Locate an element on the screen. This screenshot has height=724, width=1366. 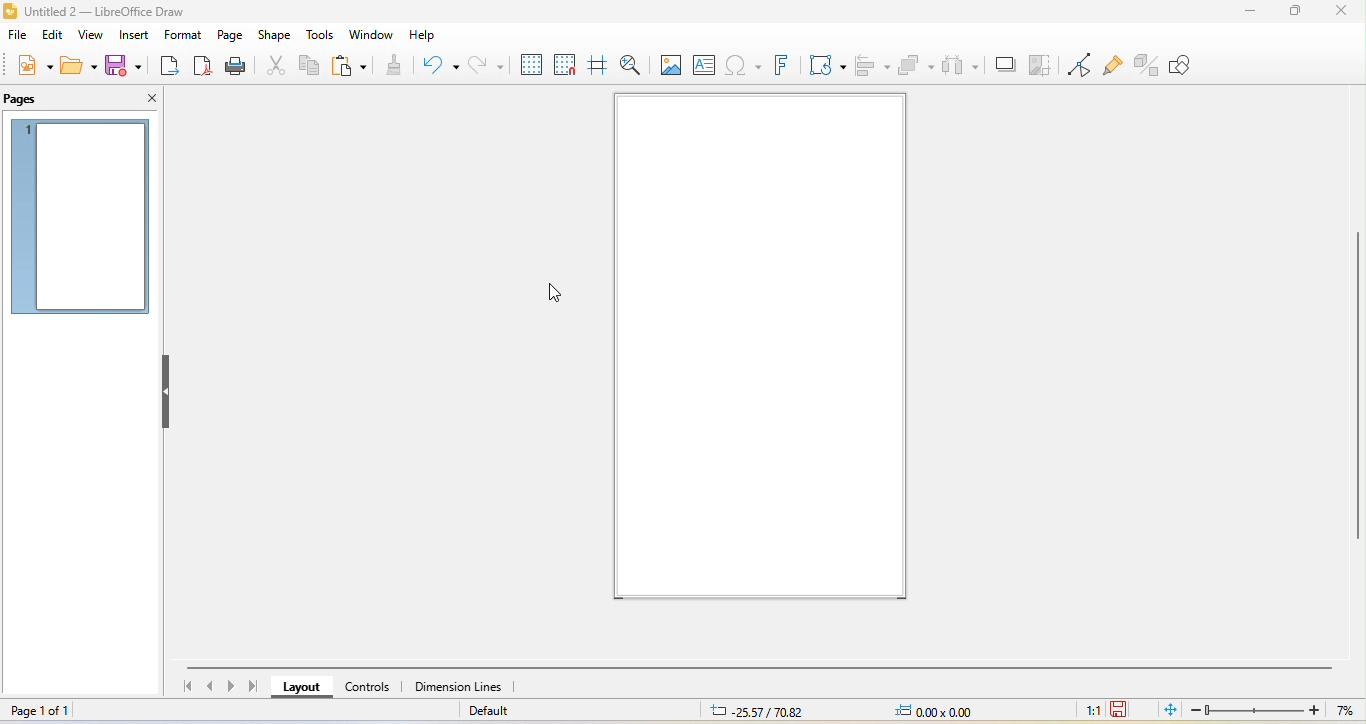
last page is located at coordinates (257, 686).